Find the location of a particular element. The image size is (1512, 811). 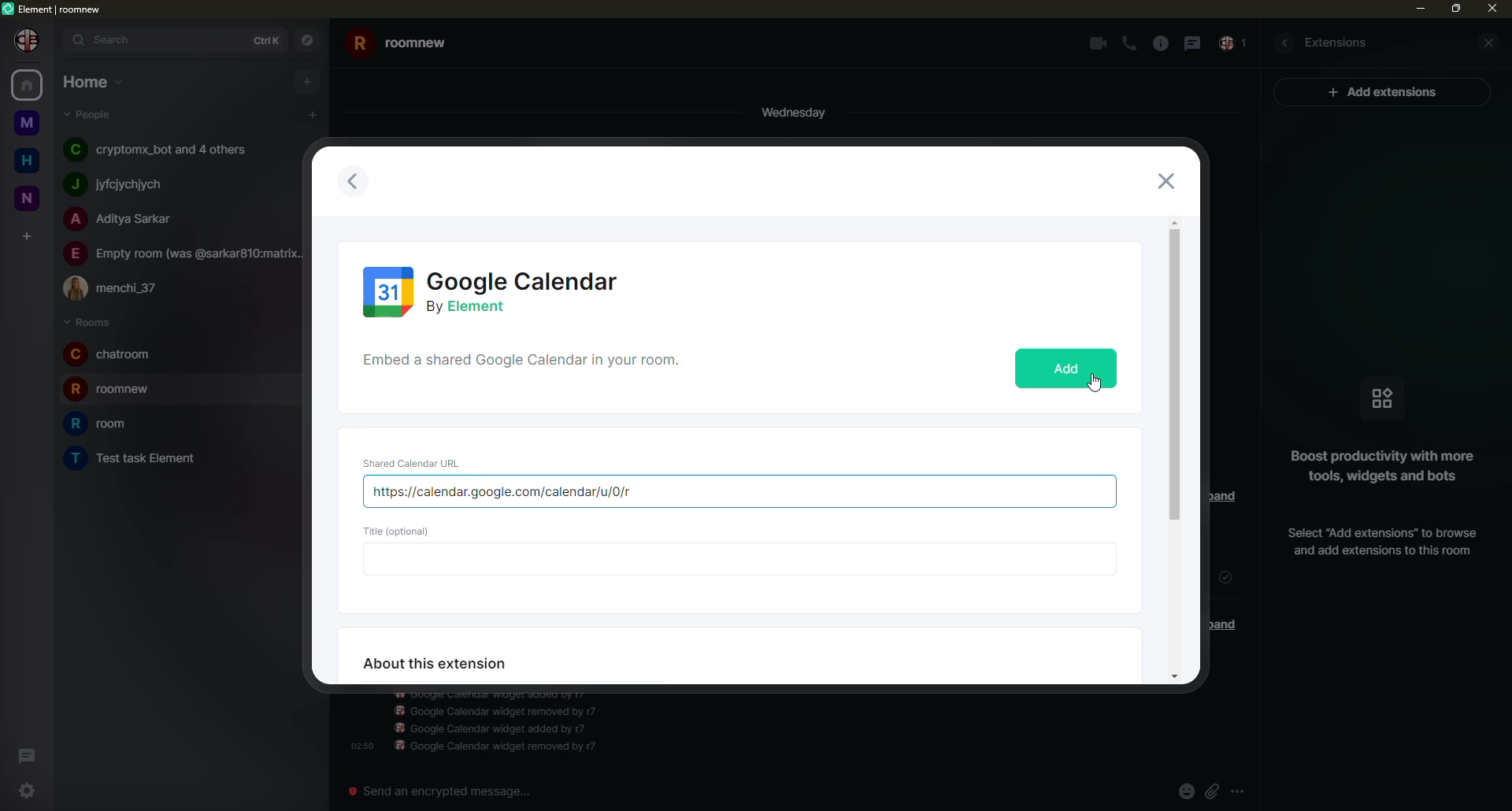

cursor is located at coordinates (1096, 387).